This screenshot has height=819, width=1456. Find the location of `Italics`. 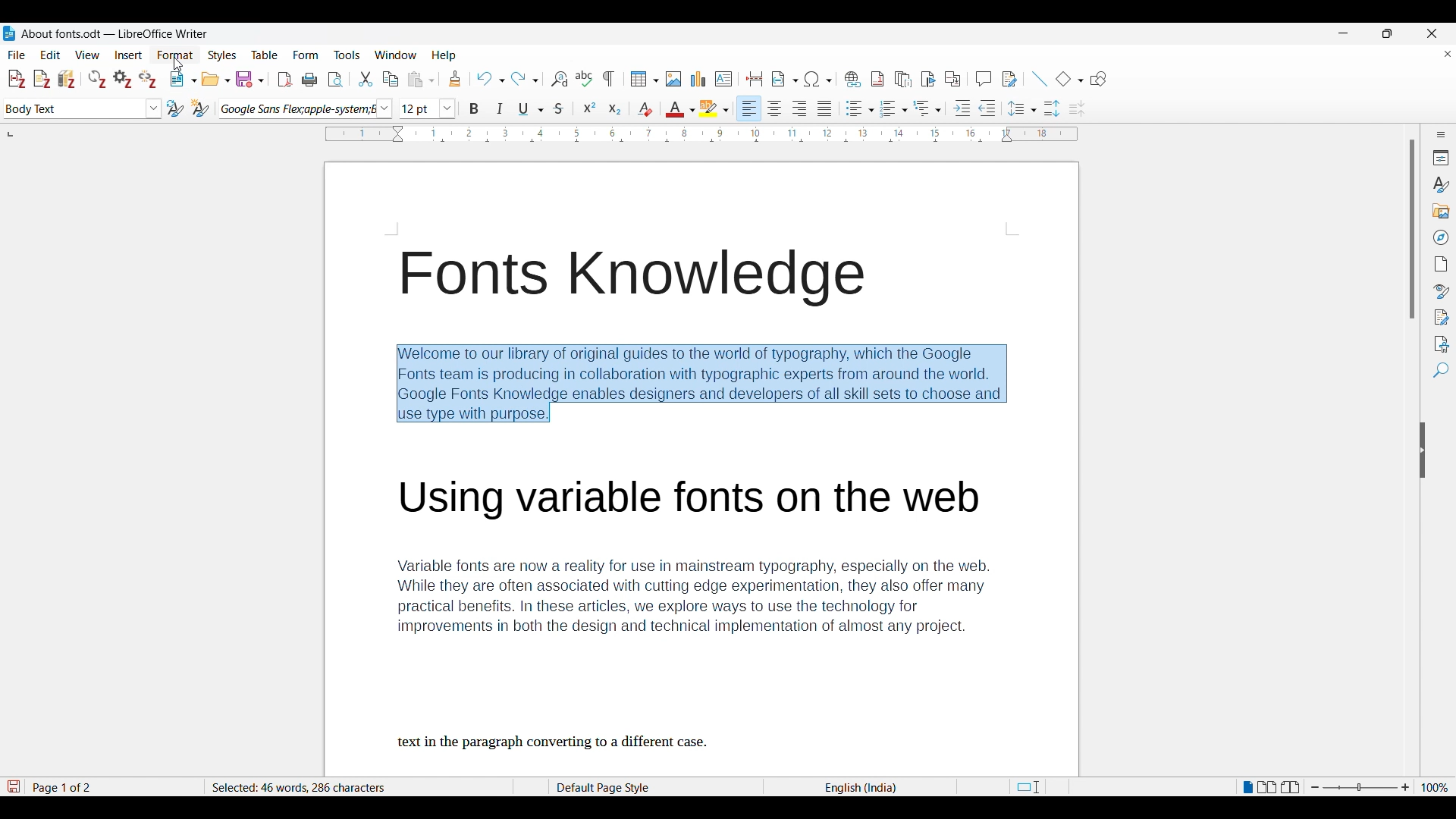

Italics is located at coordinates (500, 108).